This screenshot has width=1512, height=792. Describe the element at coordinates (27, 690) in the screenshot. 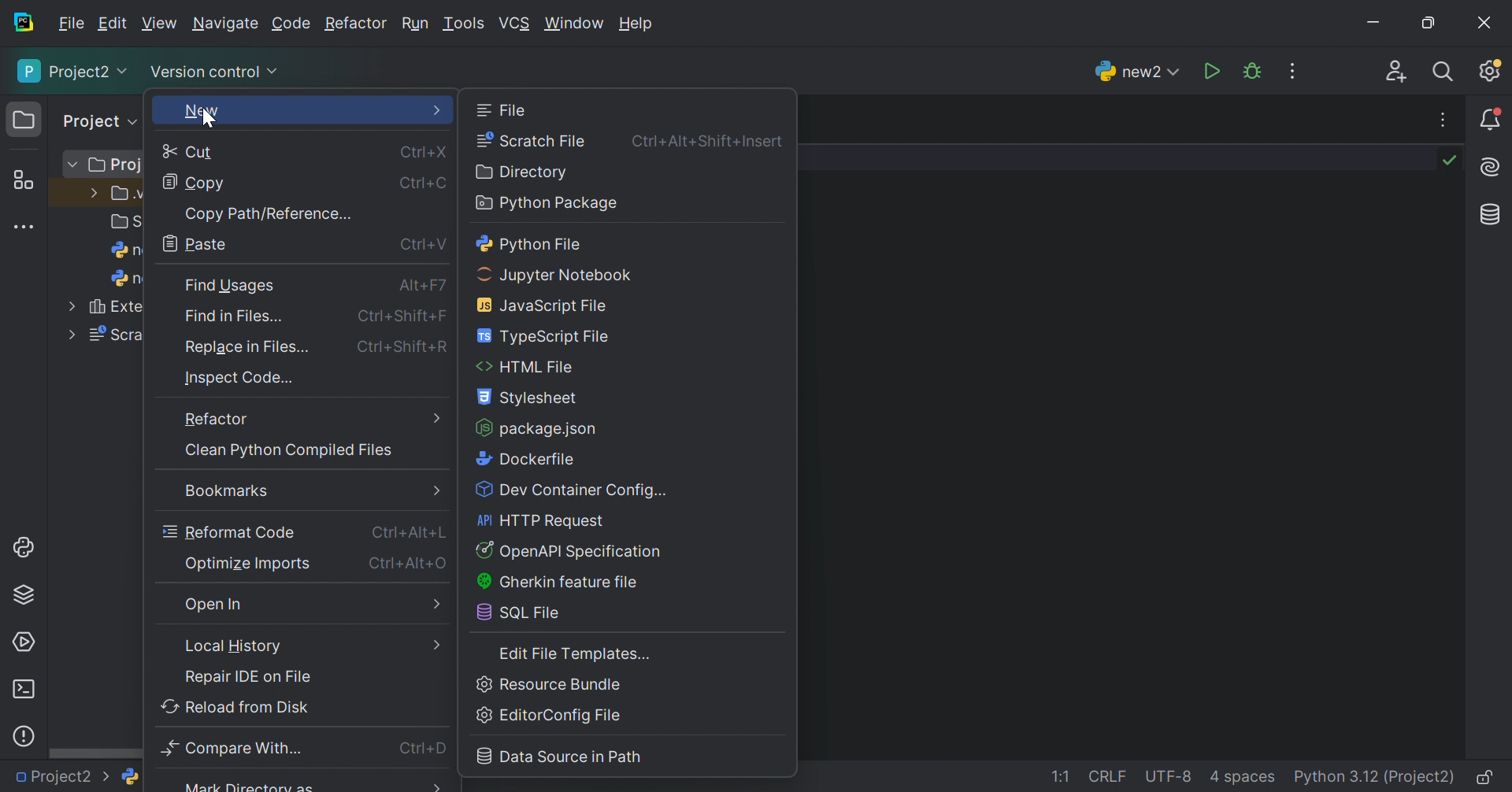

I see `terminal` at that location.